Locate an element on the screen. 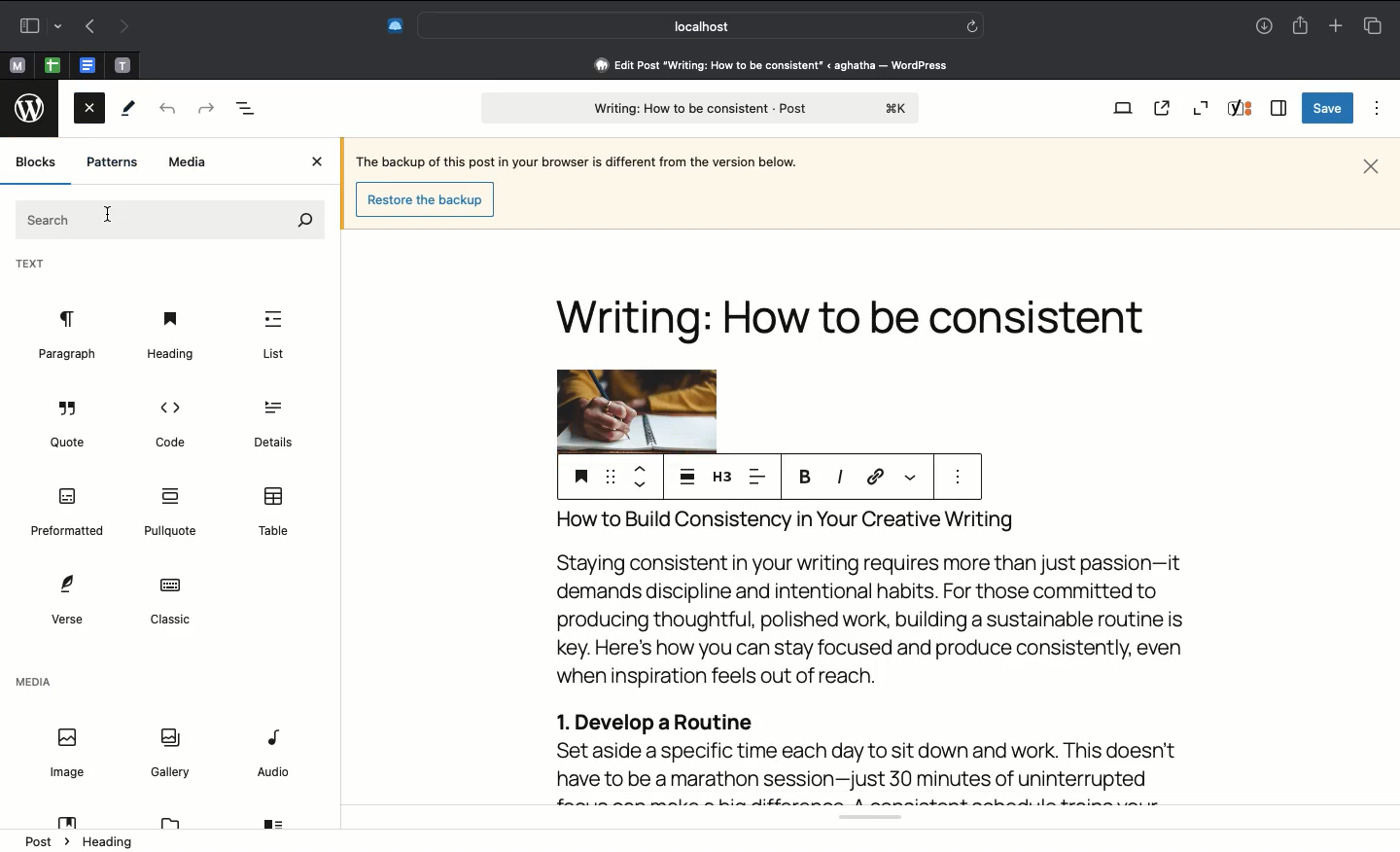 The height and width of the screenshot is (852, 1400). Text is located at coordinates (169, 219).